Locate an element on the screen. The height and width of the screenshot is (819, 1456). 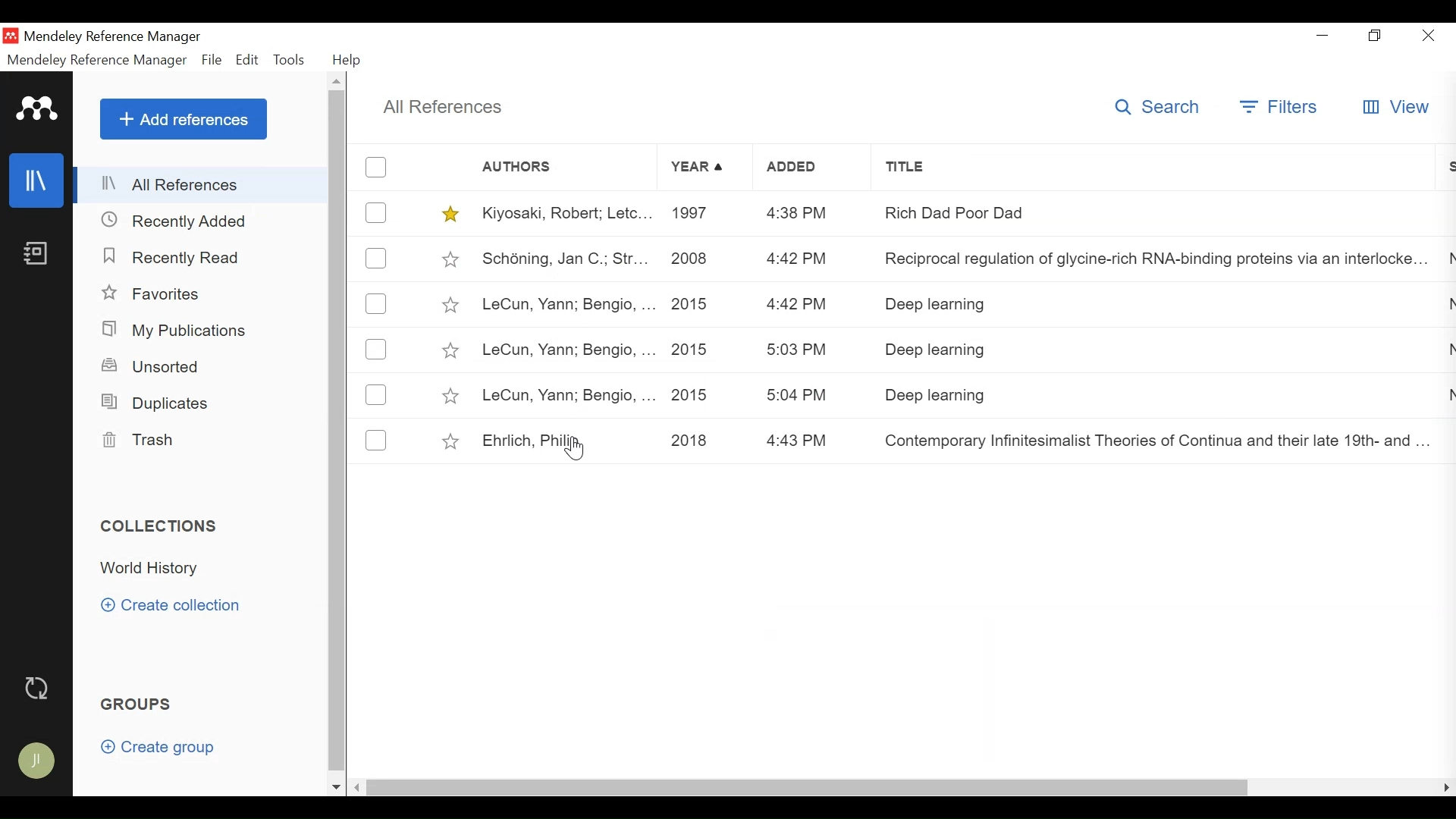
Duplicates is located at coordinates (152, 403).